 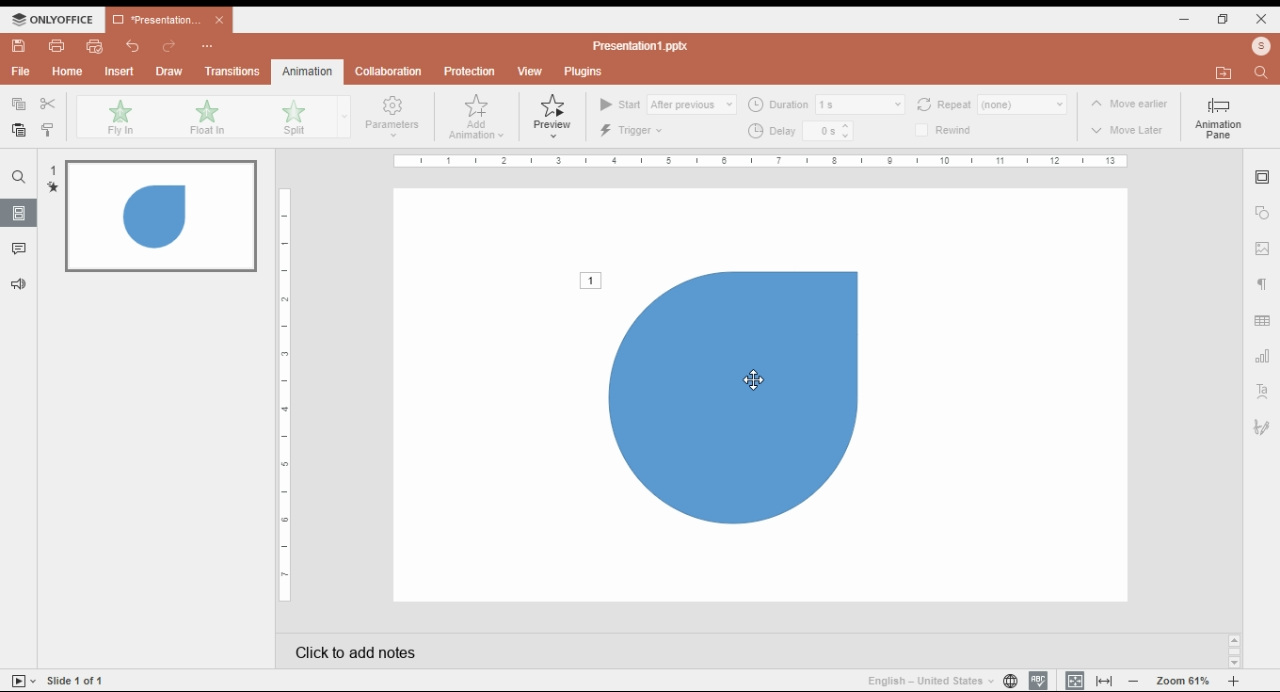 I want to click on add animation, so click(x=478, y=118).